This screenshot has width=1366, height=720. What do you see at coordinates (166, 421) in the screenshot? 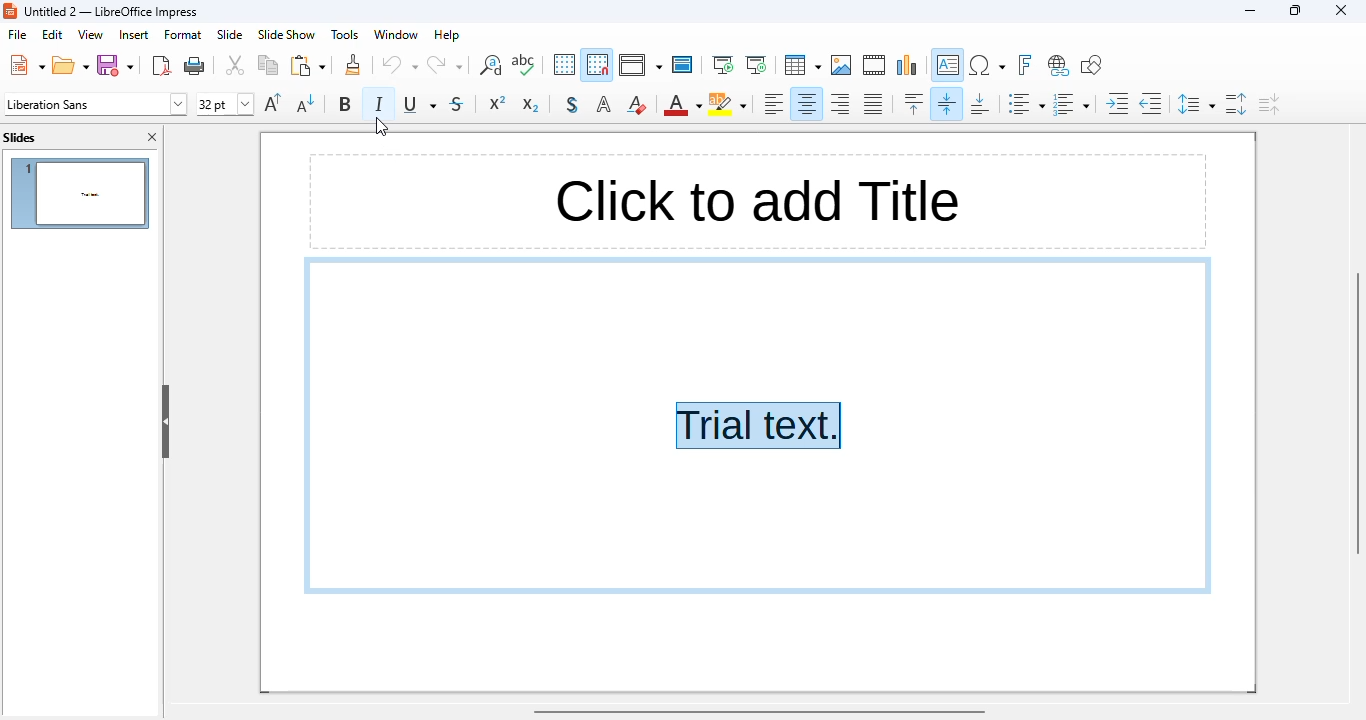
I see `hide` at bounding box center [166, 421].